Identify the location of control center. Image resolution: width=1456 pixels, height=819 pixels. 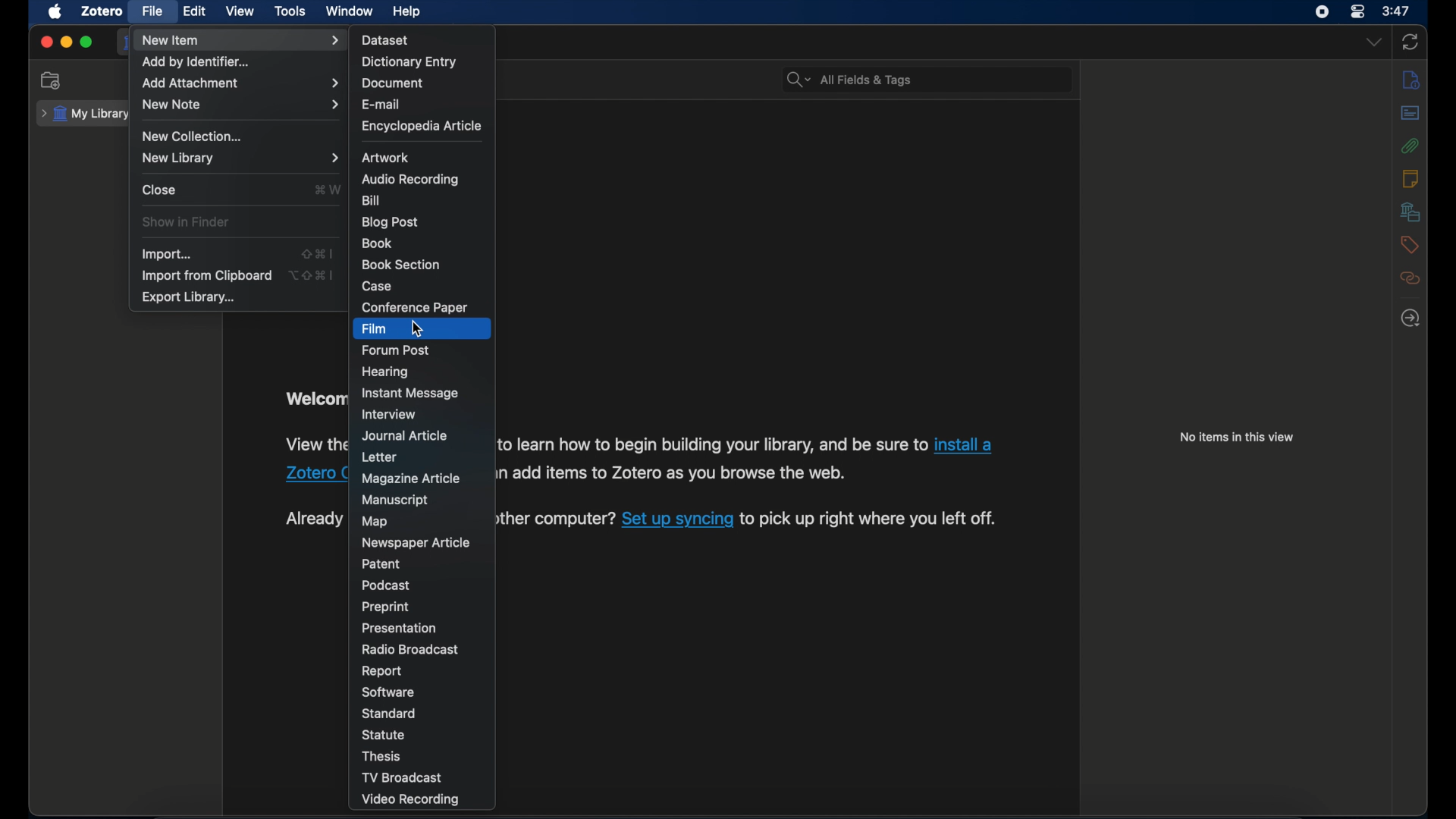
(1359, 12).